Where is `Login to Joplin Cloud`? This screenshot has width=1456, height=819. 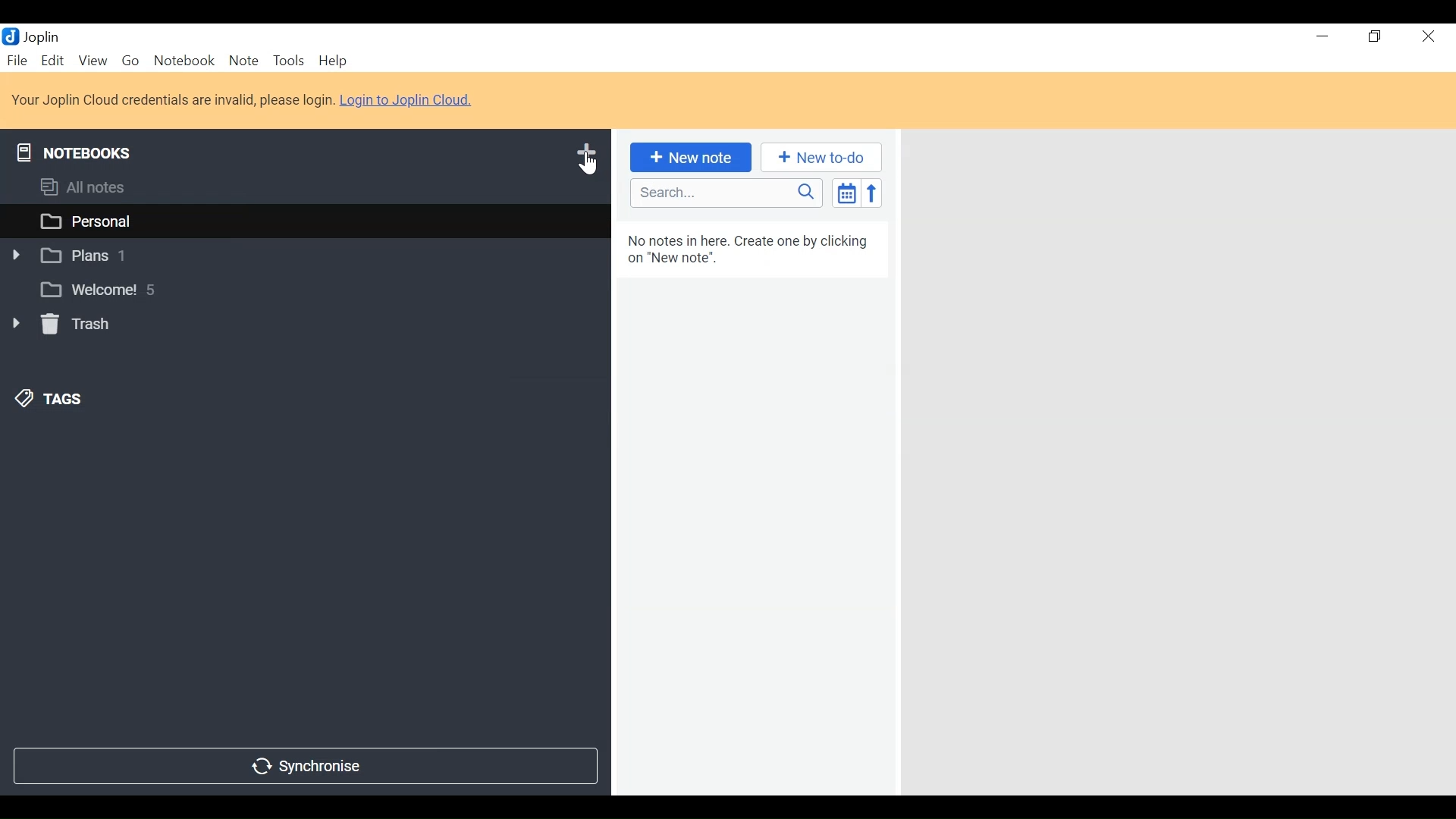
Login to Joplin Cloud is located at coordinates (405, 106).